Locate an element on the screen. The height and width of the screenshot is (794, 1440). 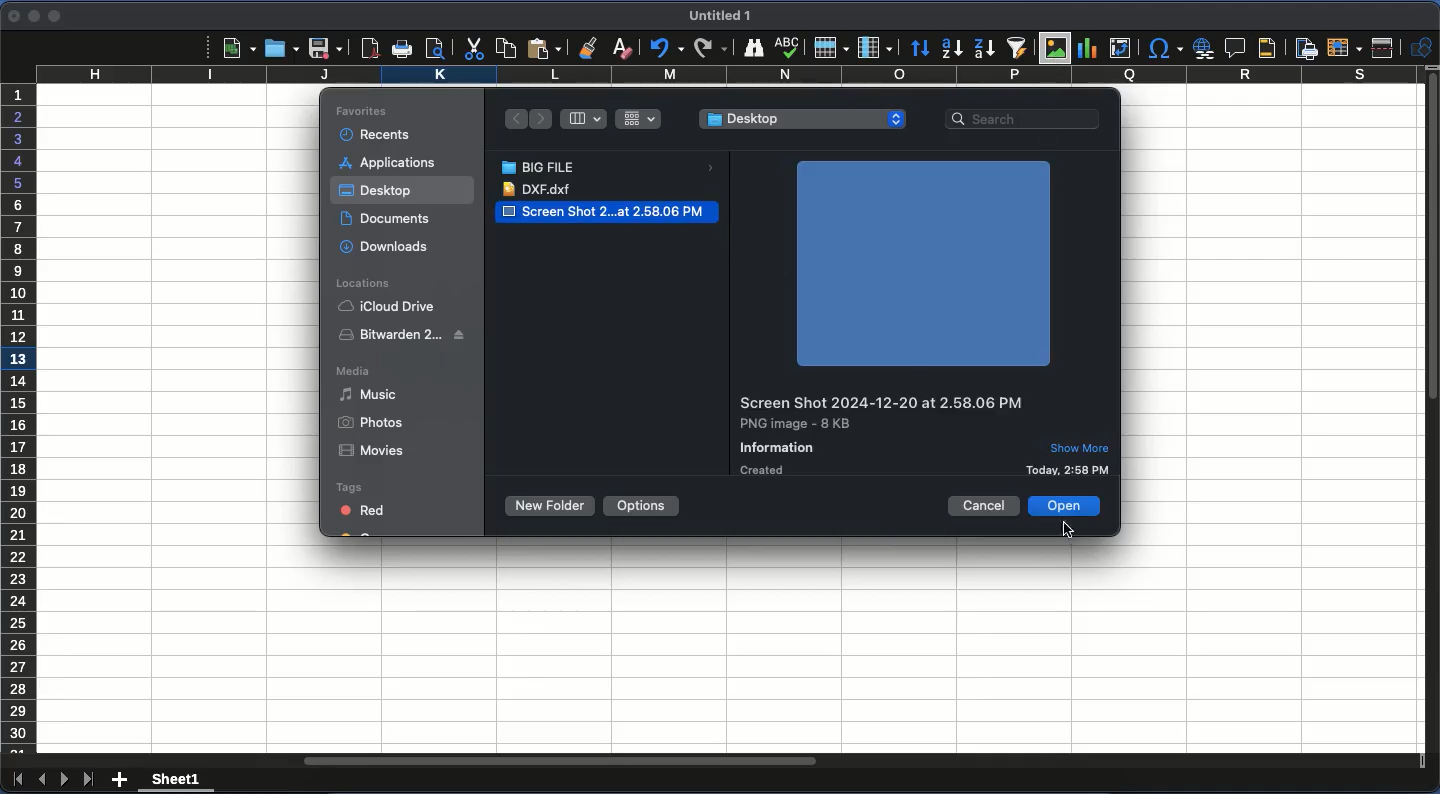
vertical scroll bar is located at coordinates (1431, 242).